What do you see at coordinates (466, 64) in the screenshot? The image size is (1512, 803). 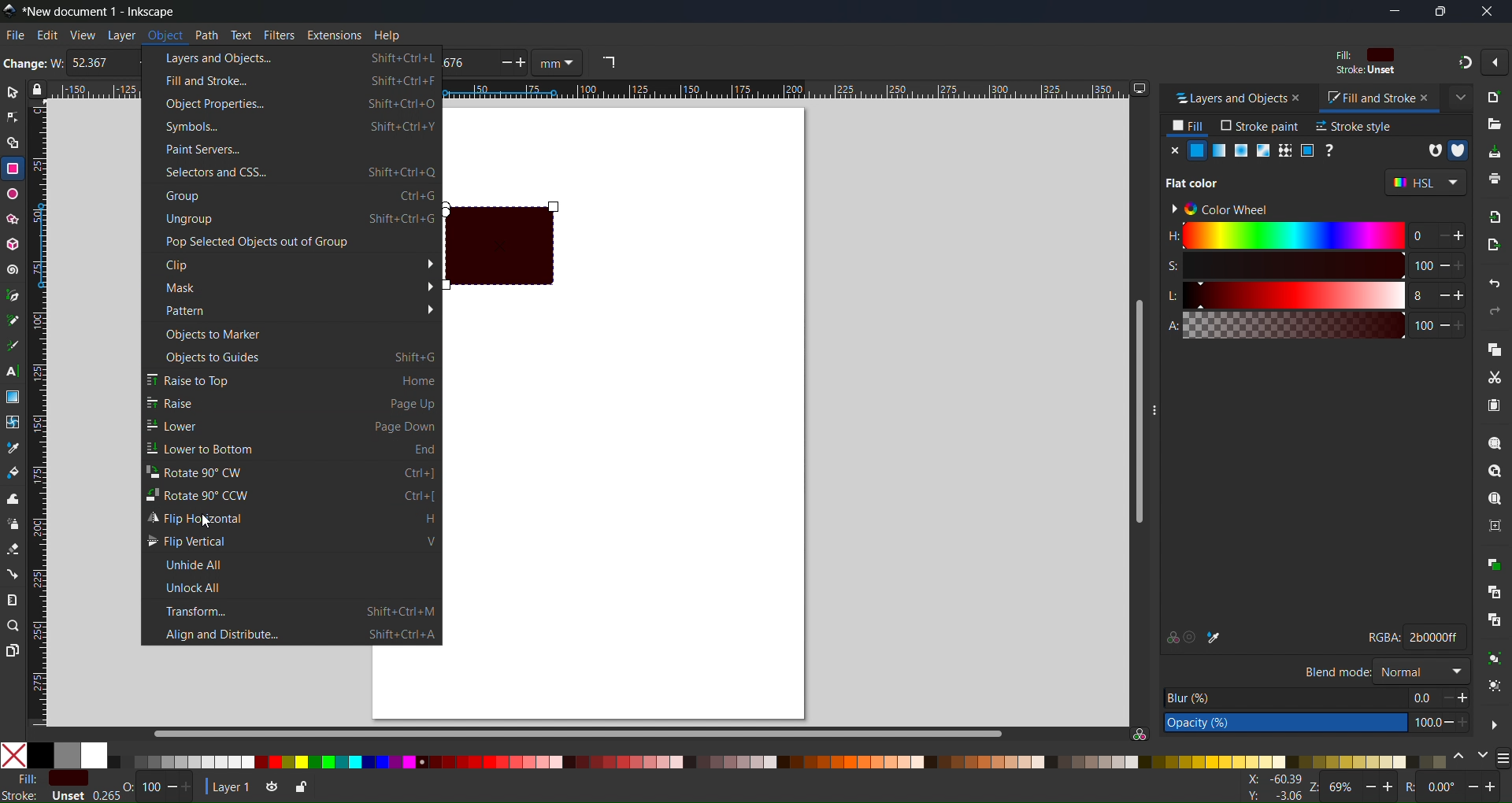 I see `Vertical radius of rounded corner 2.676` at bounding box center [466, 64].